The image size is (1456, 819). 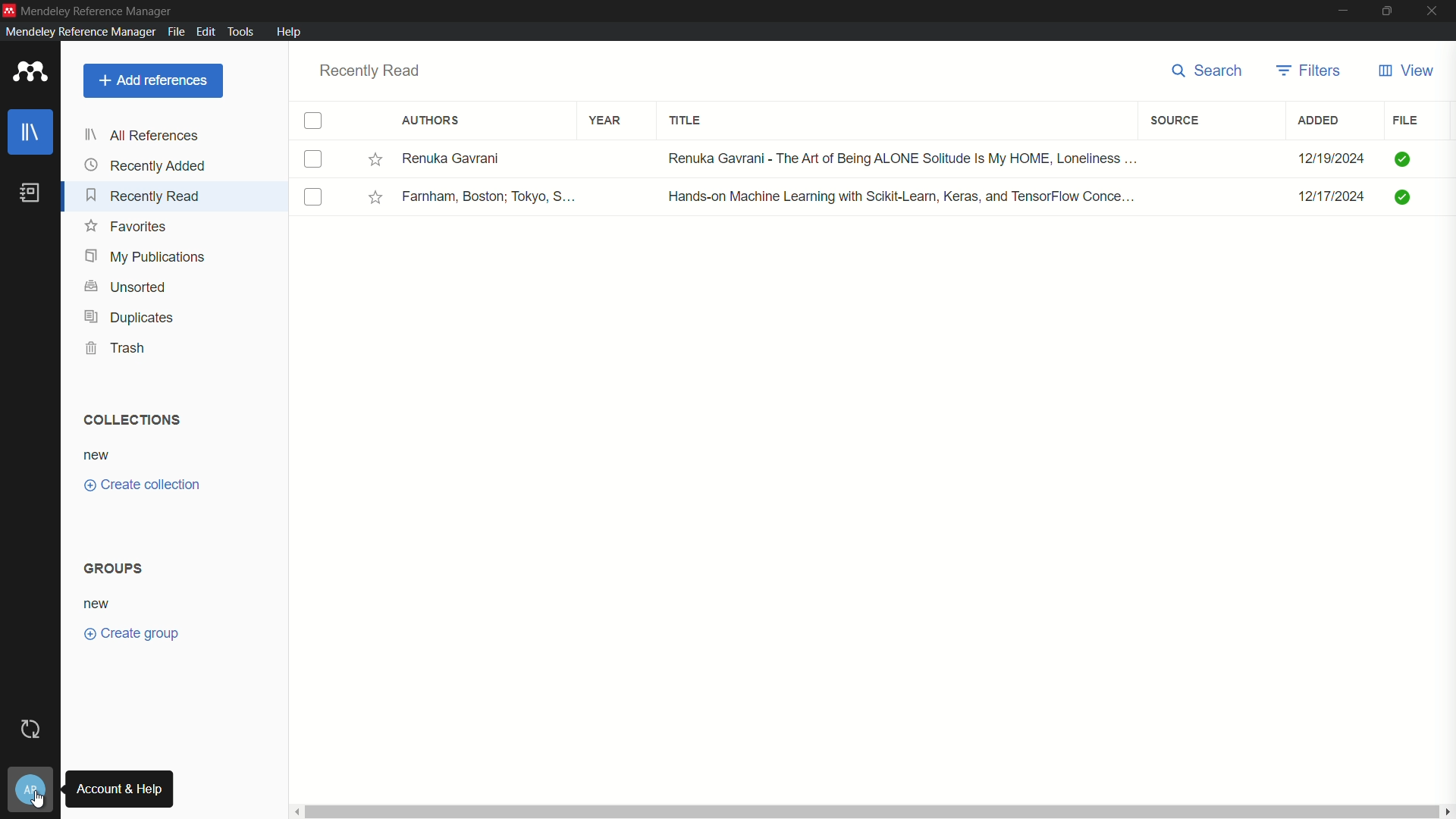 What do you see at coordinates (123, 287) in the screenshot?
I see `unsorted` at bounding box center [123, 287].